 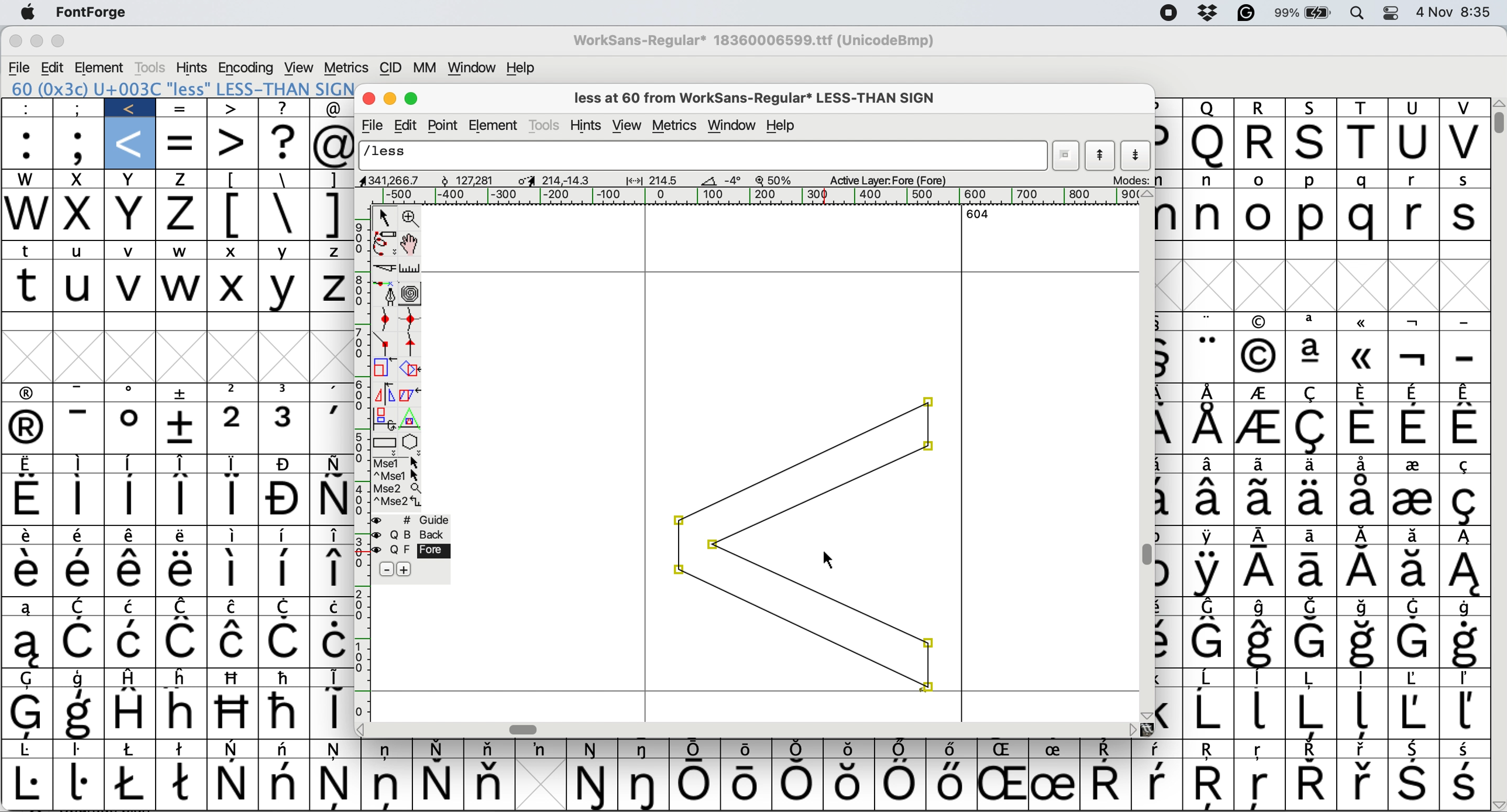 What do you see at coordinates (851, 784) in the screenshot?
I see `Symbol` at bounding box center [851, 784].